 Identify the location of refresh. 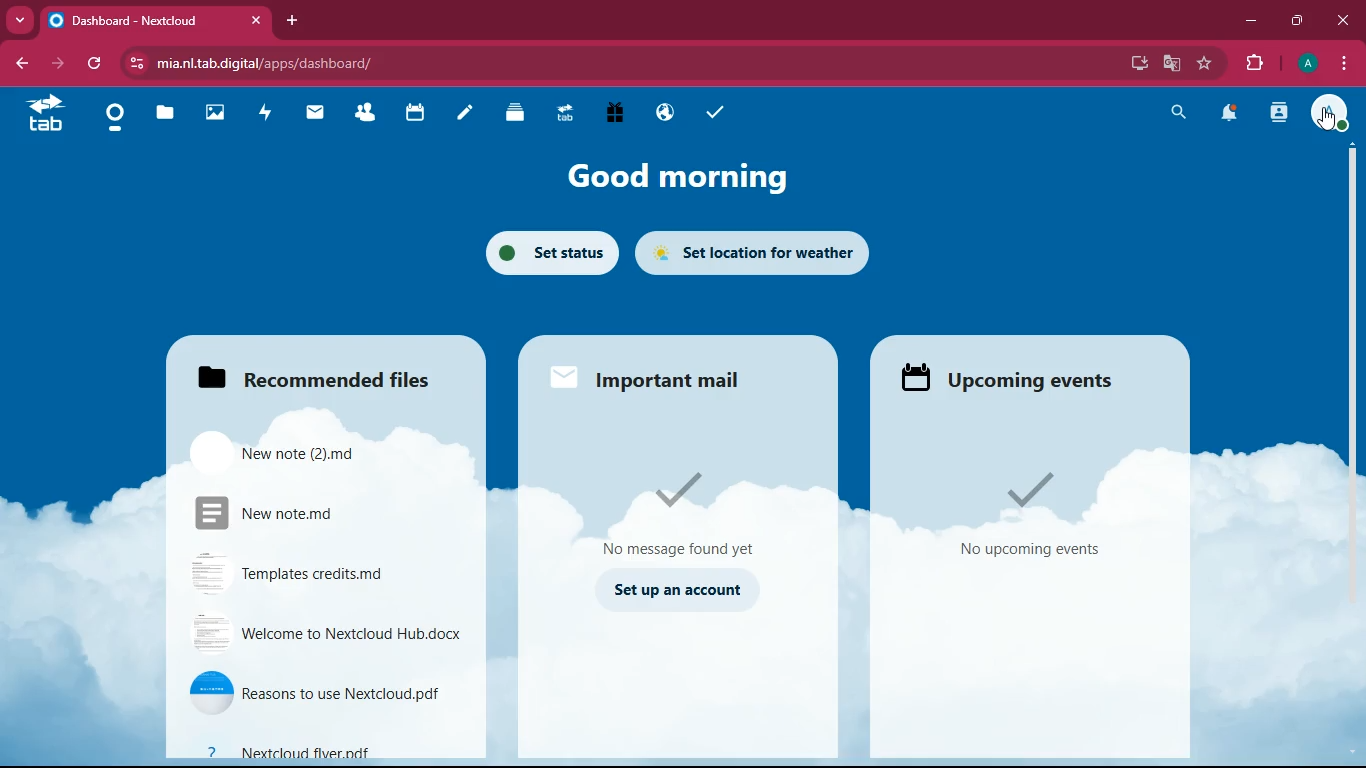
(95, 64).